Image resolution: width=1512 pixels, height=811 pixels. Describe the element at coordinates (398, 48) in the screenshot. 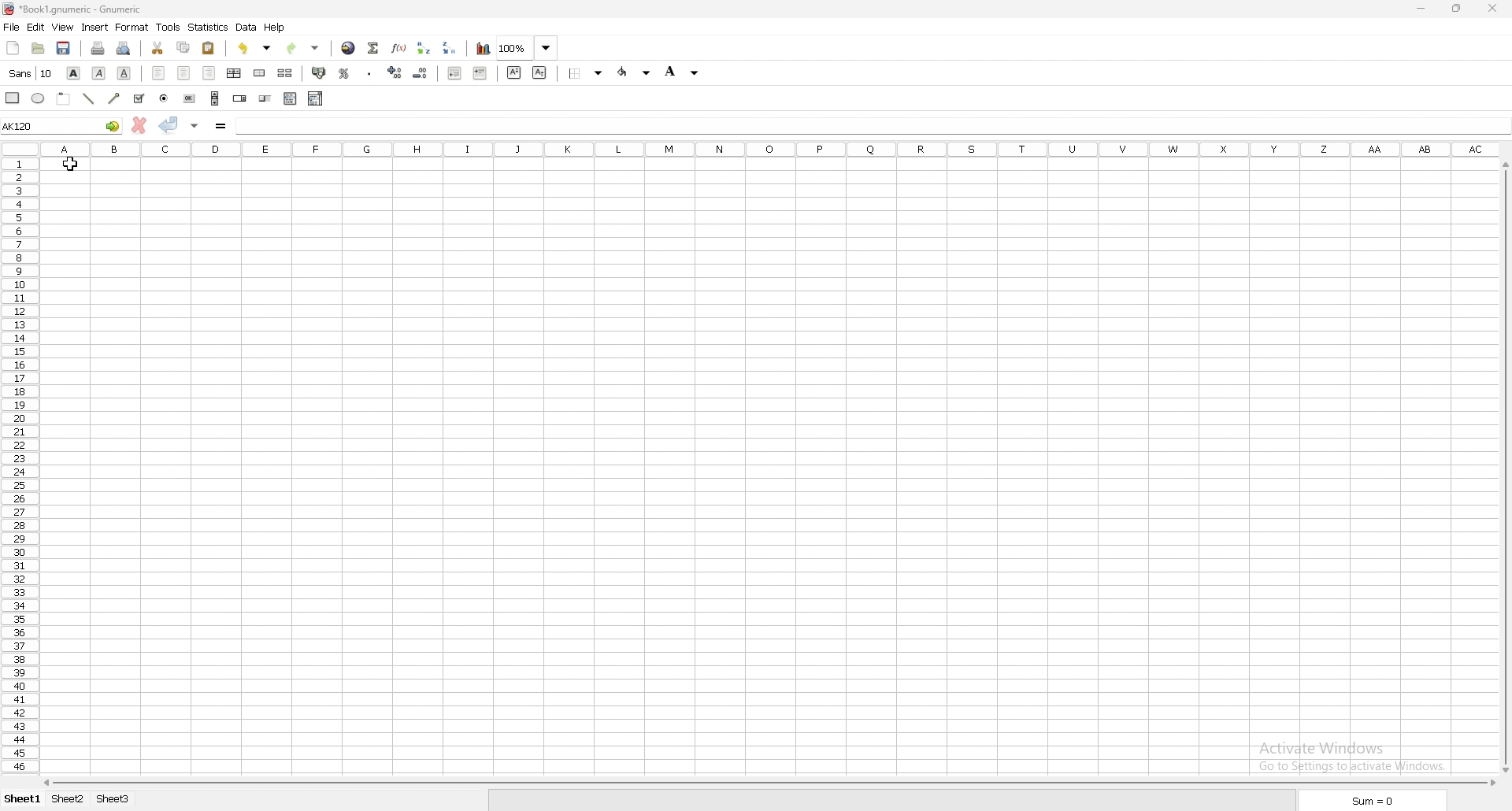

I see `function` at that location.